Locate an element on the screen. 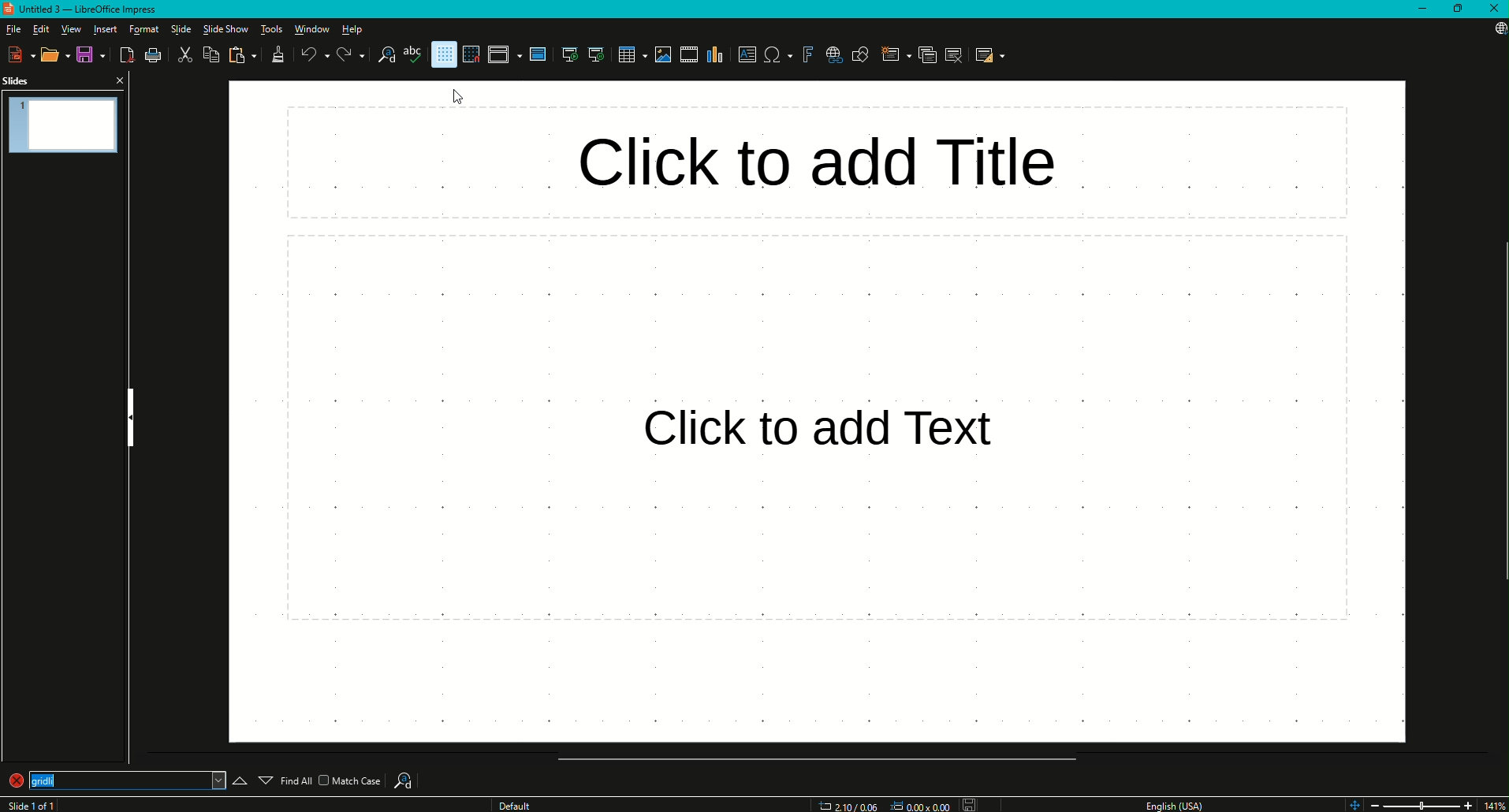 This screenshot has width=1509, height=812. Clone formatting is located at coordinates (279, 54).